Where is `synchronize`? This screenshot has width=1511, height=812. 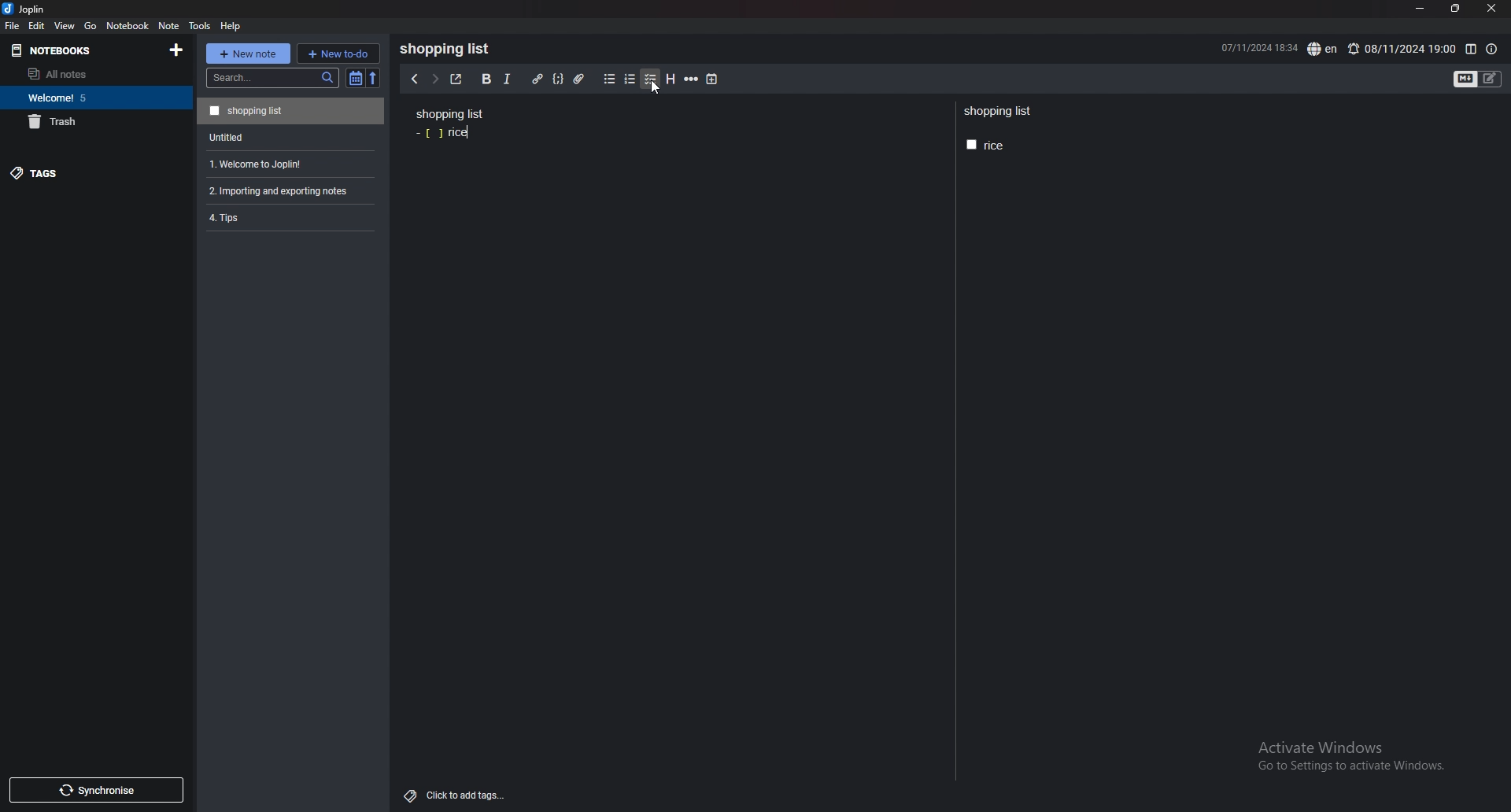
synchronize is located at coordinates (95, 790).